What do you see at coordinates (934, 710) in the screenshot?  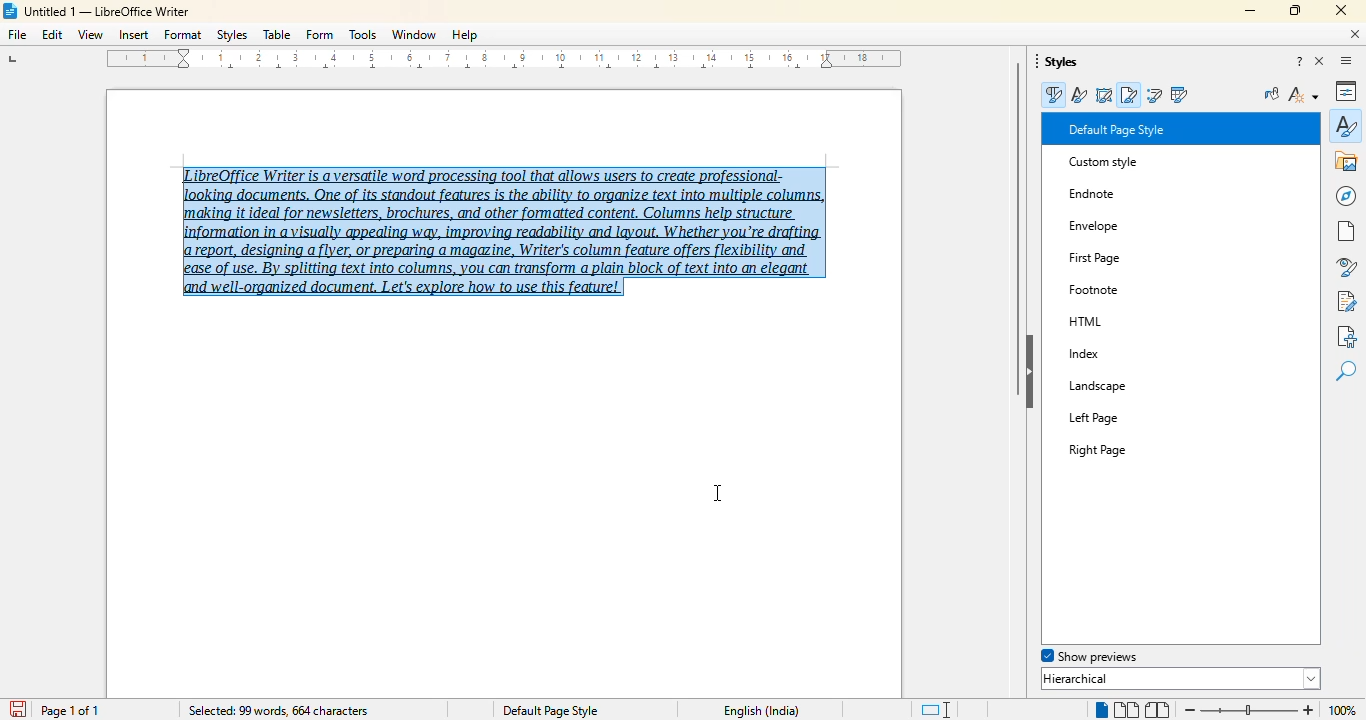 I see `standard selection` at bounding box center [934, 710].